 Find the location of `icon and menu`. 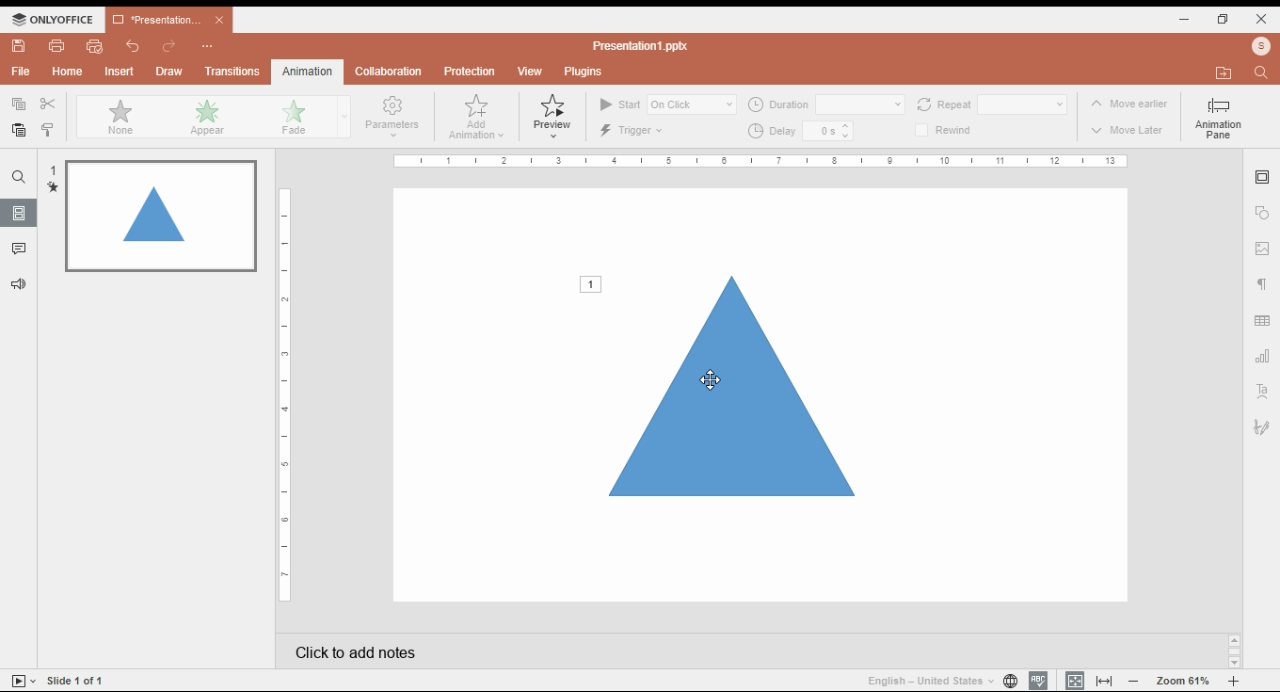

icon and menu is located at coordinates (54, 19).